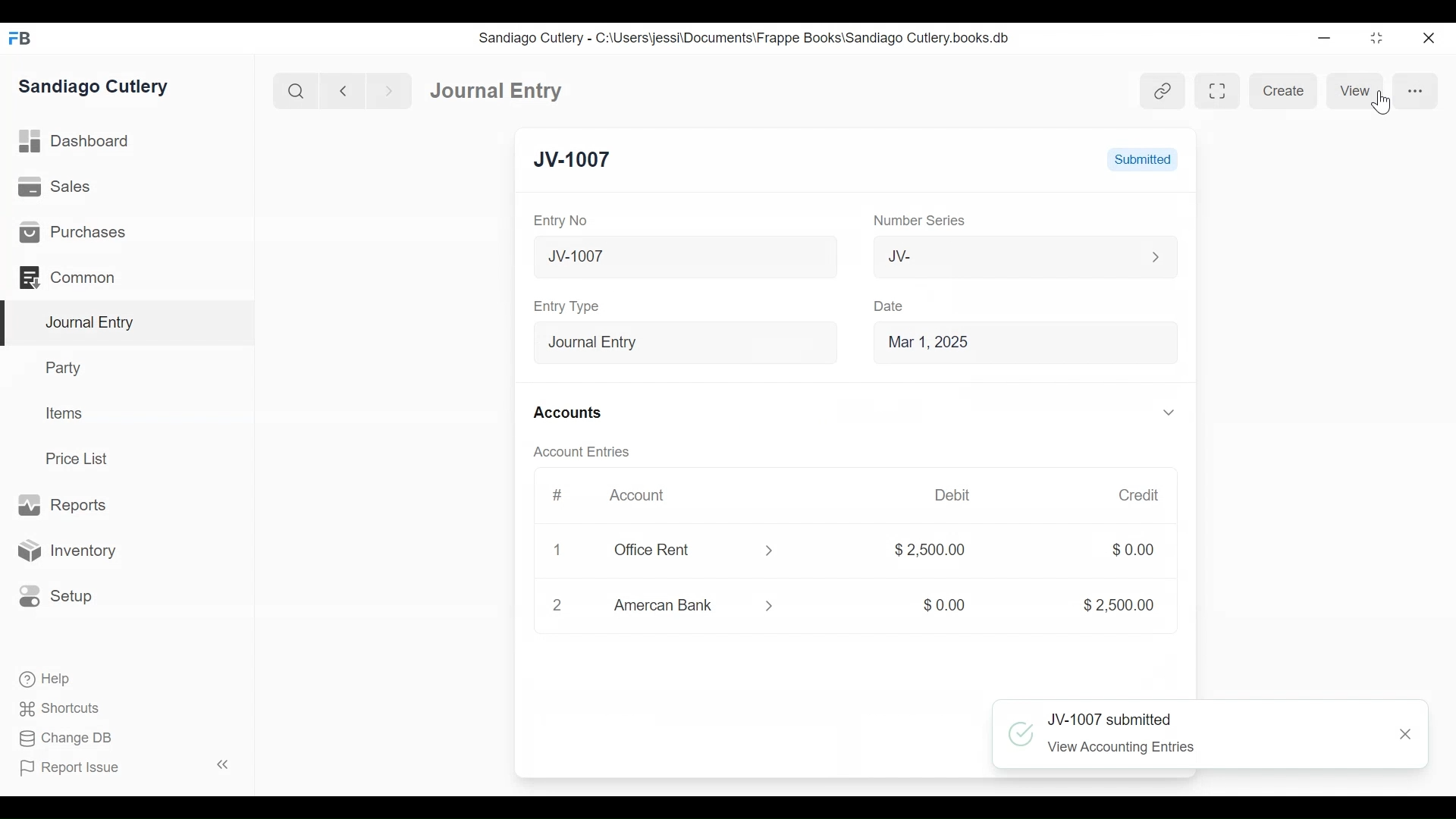  Describe the element at coordinates (1018, 341) in the screenshot. I see `Mar 1, 2025` at that location.